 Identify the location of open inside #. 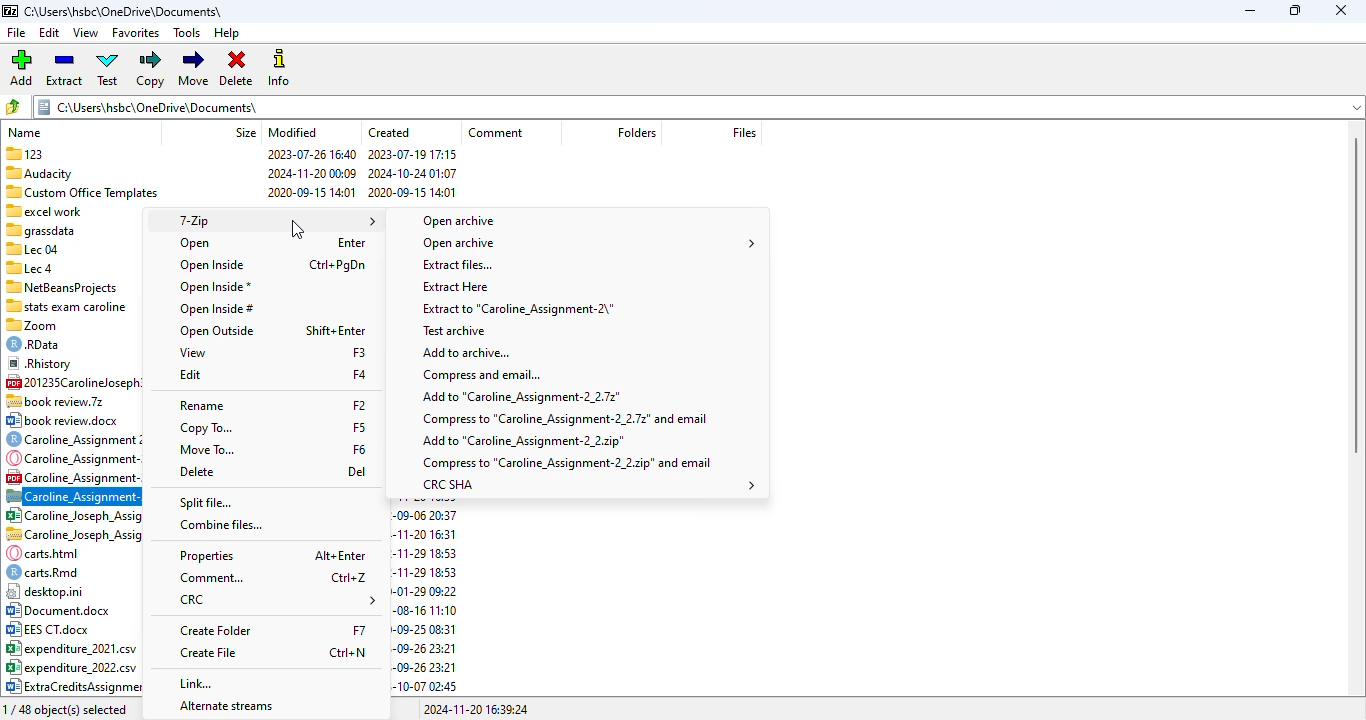
(216, 310).